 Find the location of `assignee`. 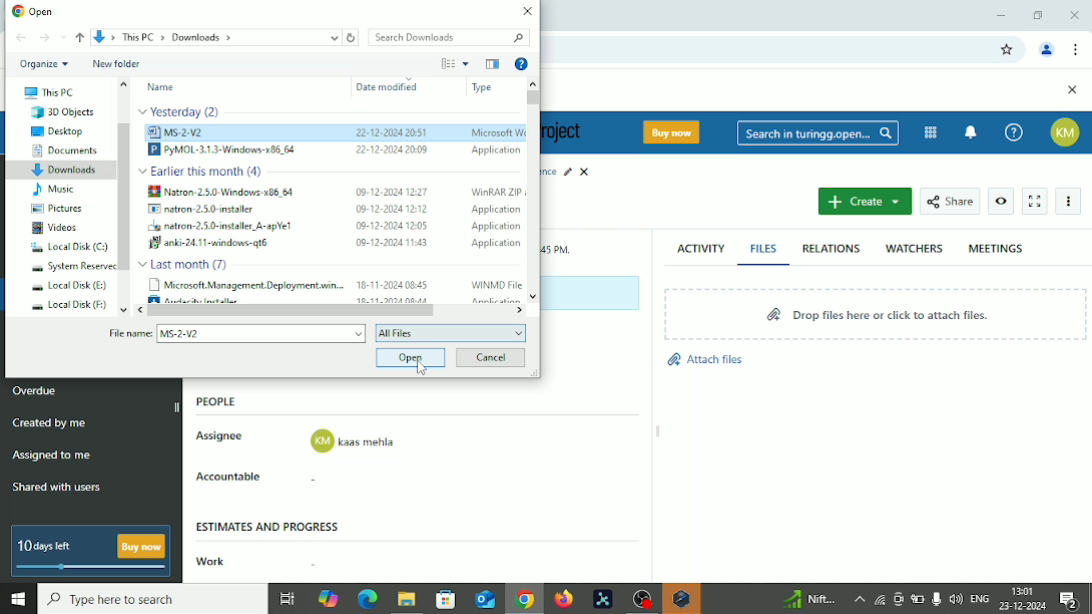

assignee is located at coordinates (354, 442).